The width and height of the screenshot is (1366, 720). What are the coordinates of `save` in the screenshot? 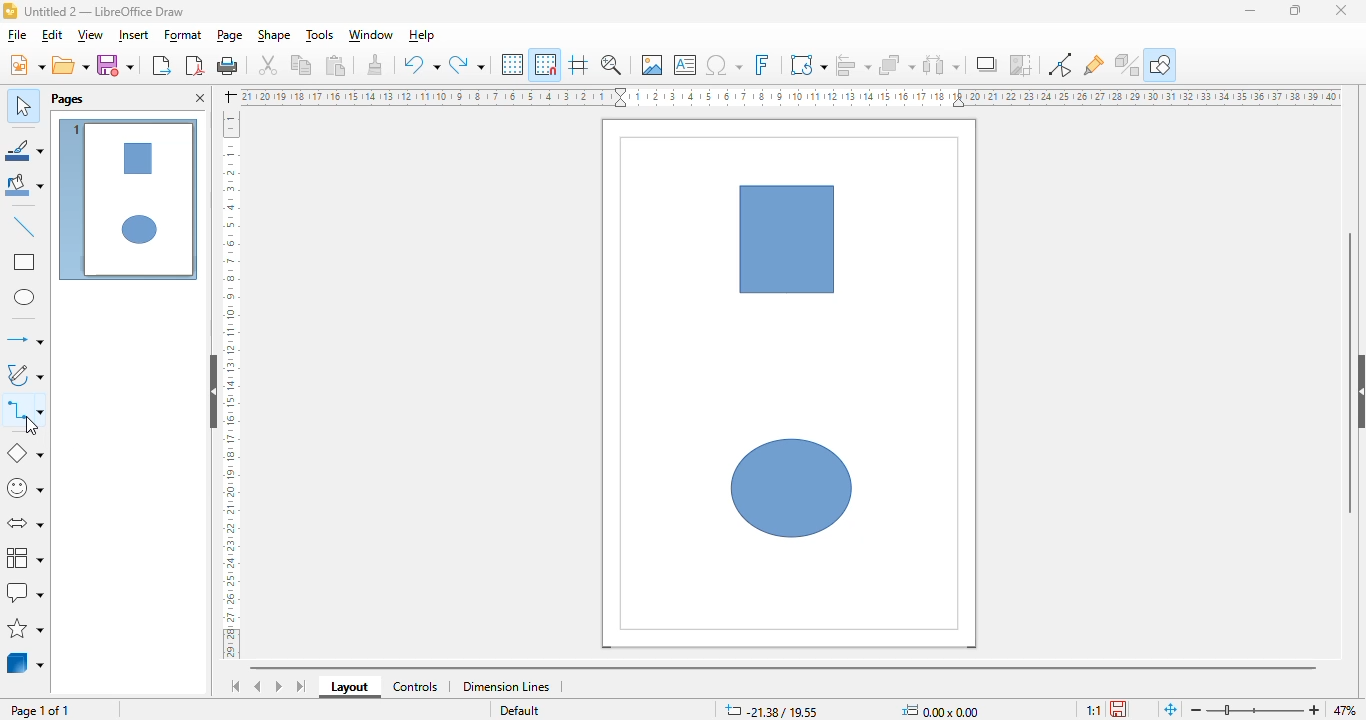 It's located at (115, 64).